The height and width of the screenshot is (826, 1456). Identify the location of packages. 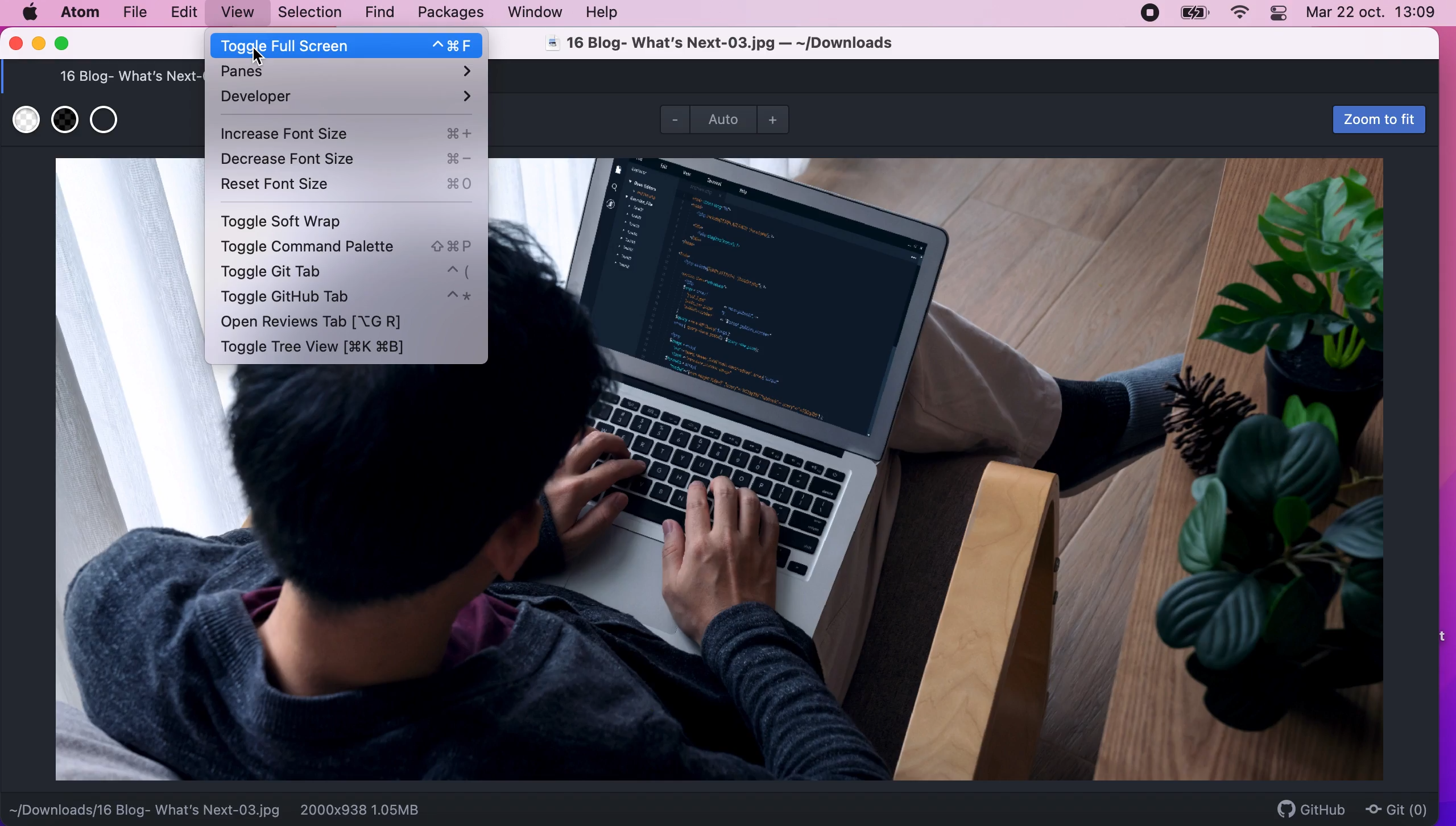
(455, 14).